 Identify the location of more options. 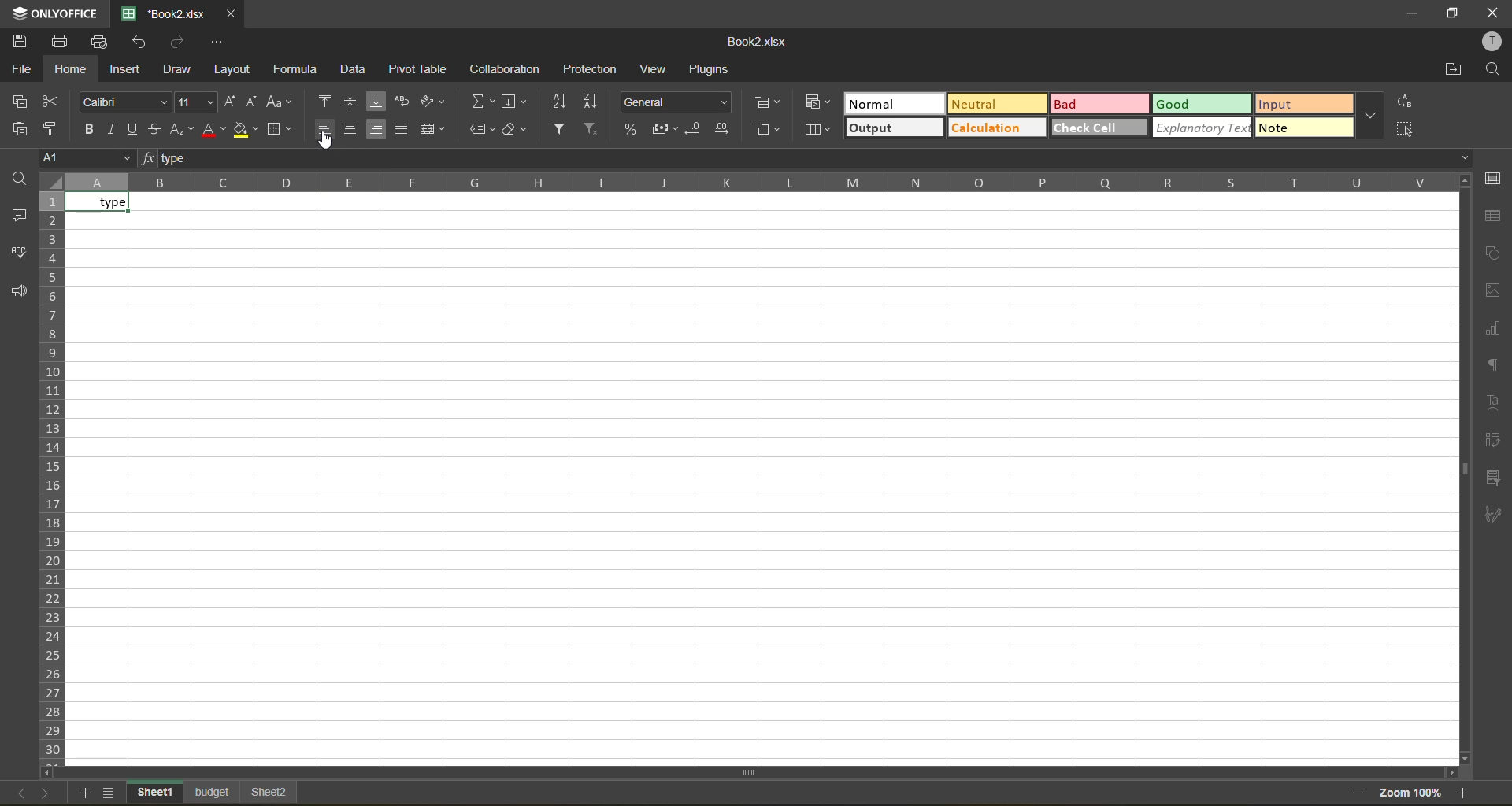
(1371, 115).